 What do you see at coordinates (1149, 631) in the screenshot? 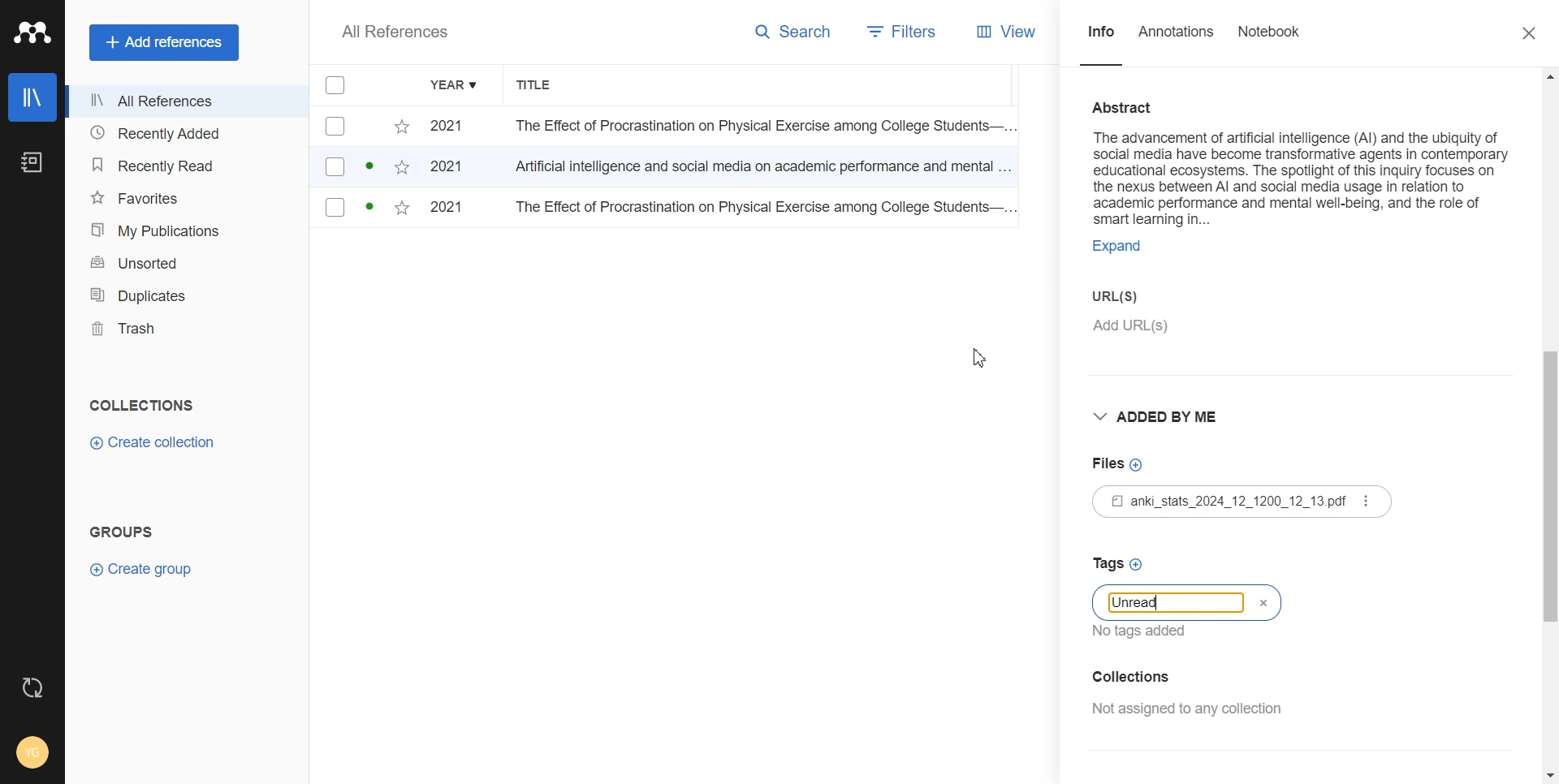
I see `No tags added` at bounding box center [1149, 631].